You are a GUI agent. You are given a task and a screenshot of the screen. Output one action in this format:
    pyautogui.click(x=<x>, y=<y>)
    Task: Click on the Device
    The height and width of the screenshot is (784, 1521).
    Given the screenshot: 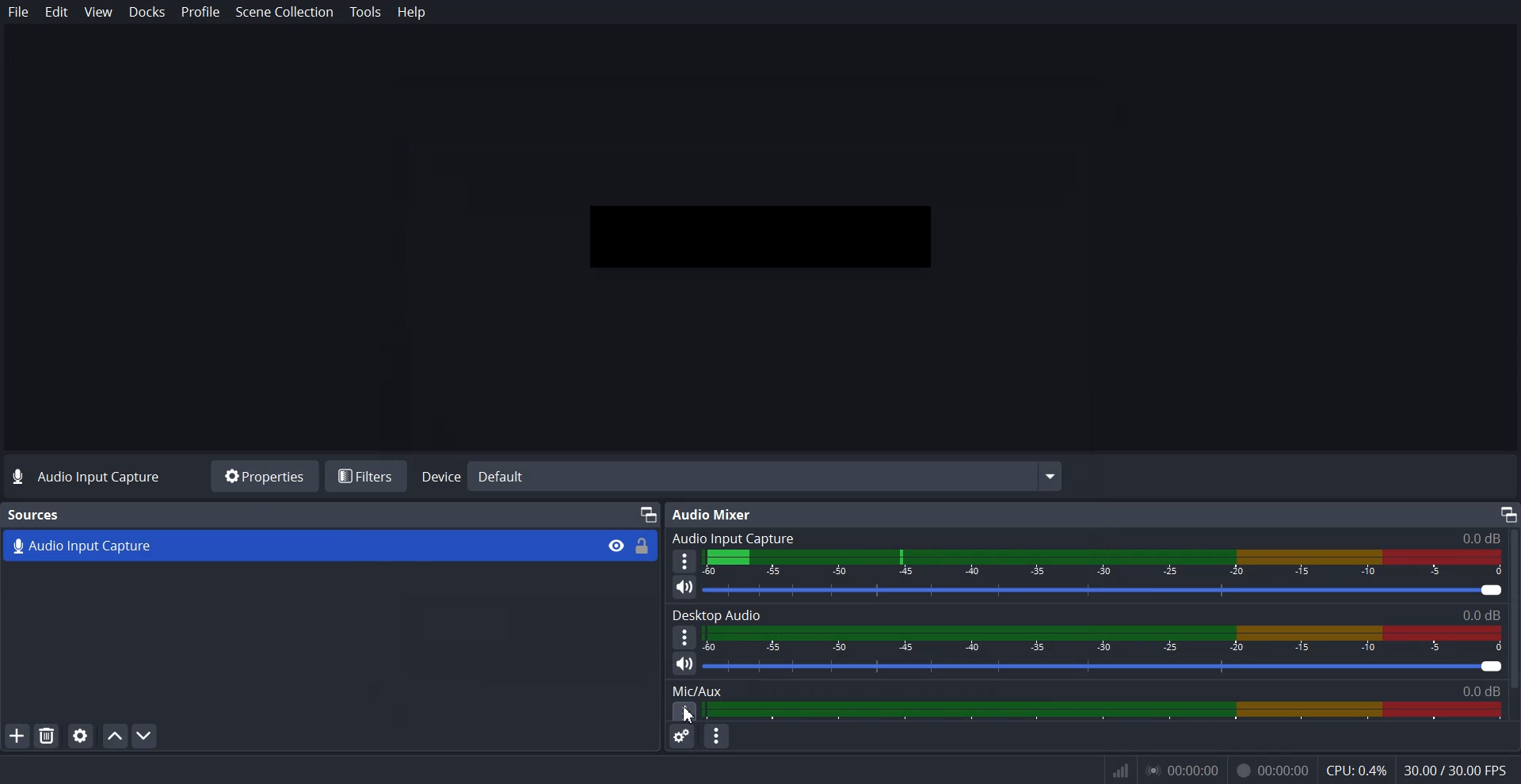 What is the action you would take?
    pyautogui.click(x=444, y=478)
    